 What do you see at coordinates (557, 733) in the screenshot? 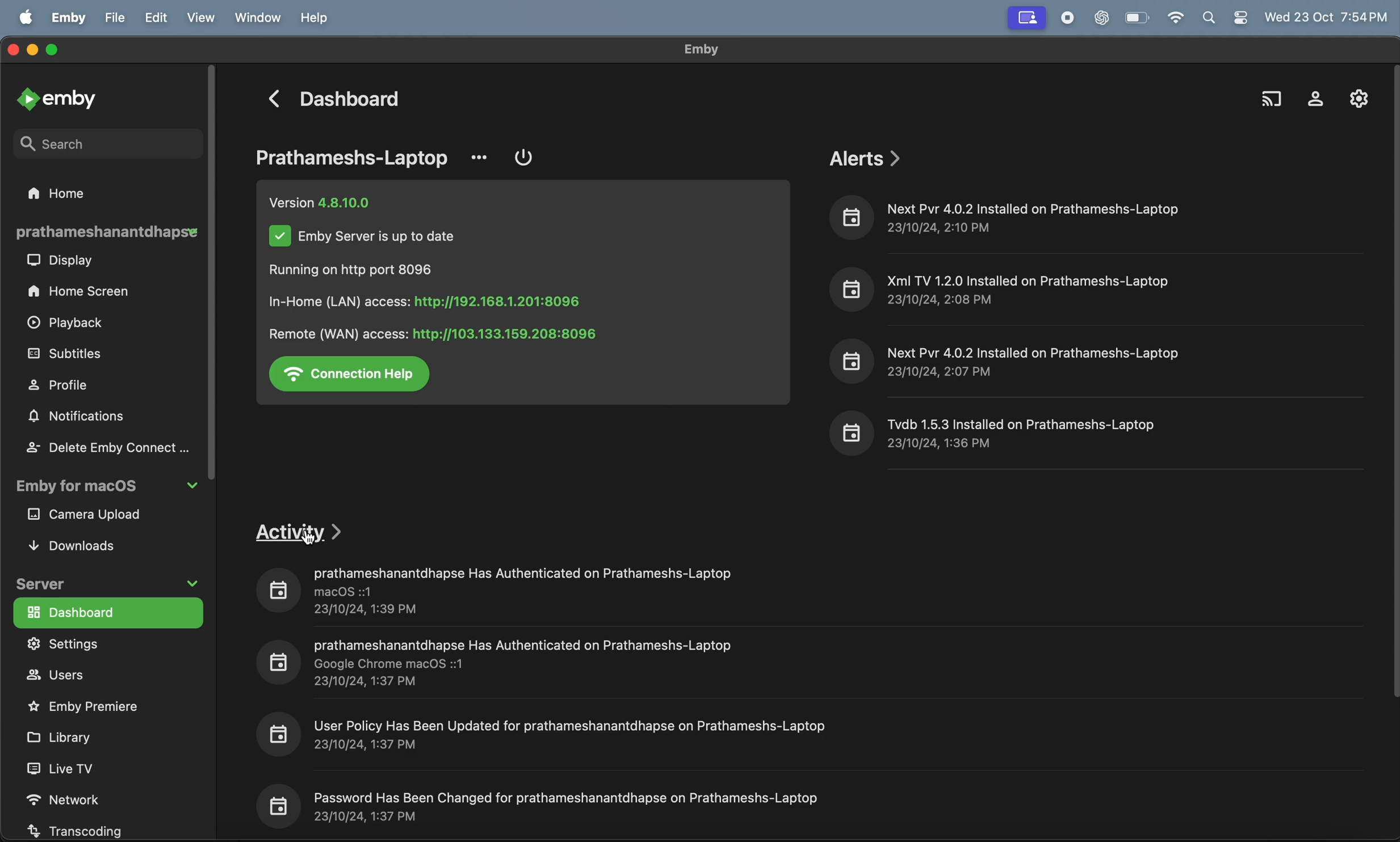
I see `5 User Policy Has Been Updated for prathameshanantdhapse on Prathameshs-Laptop
23/10/24, 1:37 PM` at bounding box center [557, 733].